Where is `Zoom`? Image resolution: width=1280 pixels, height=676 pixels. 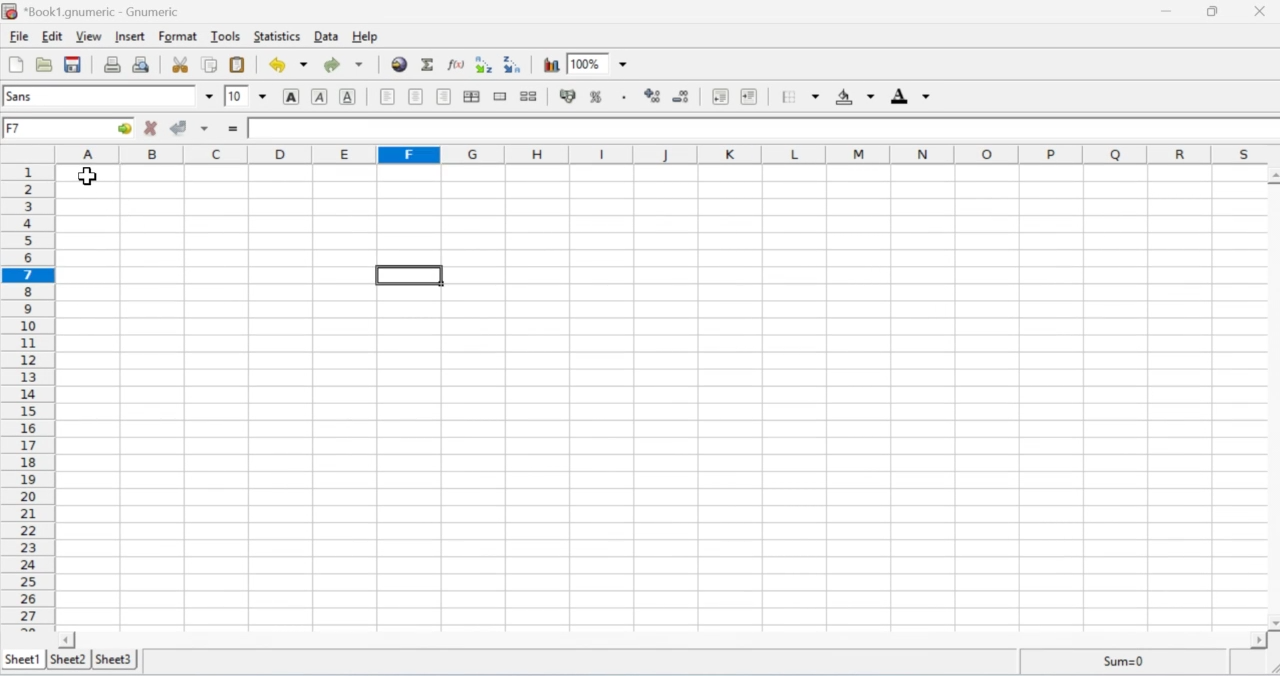
Zoom is located at coordinates (599, 63).